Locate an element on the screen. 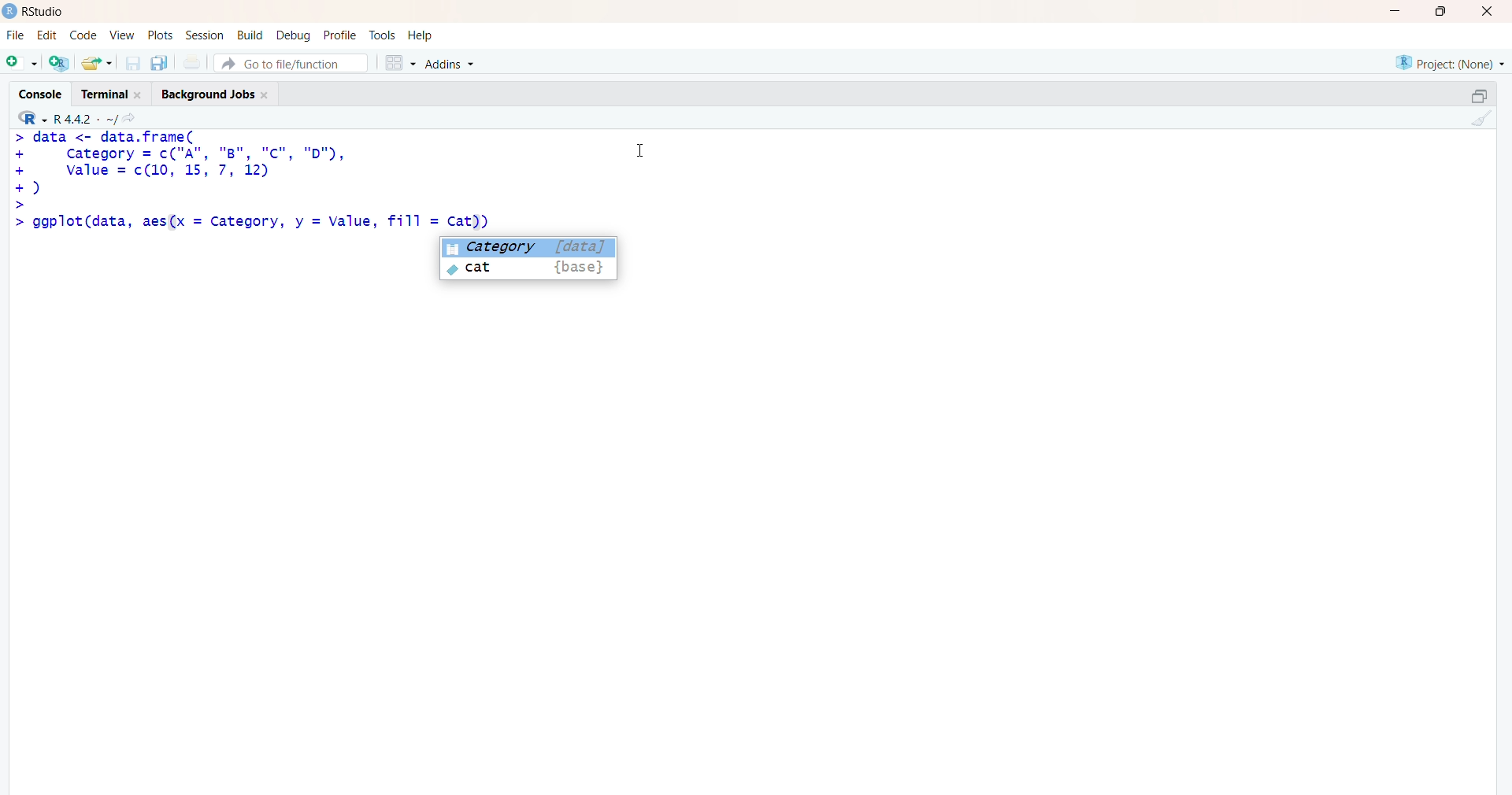   R language version - R 4.4.2 is located at coordinates (85, 117).